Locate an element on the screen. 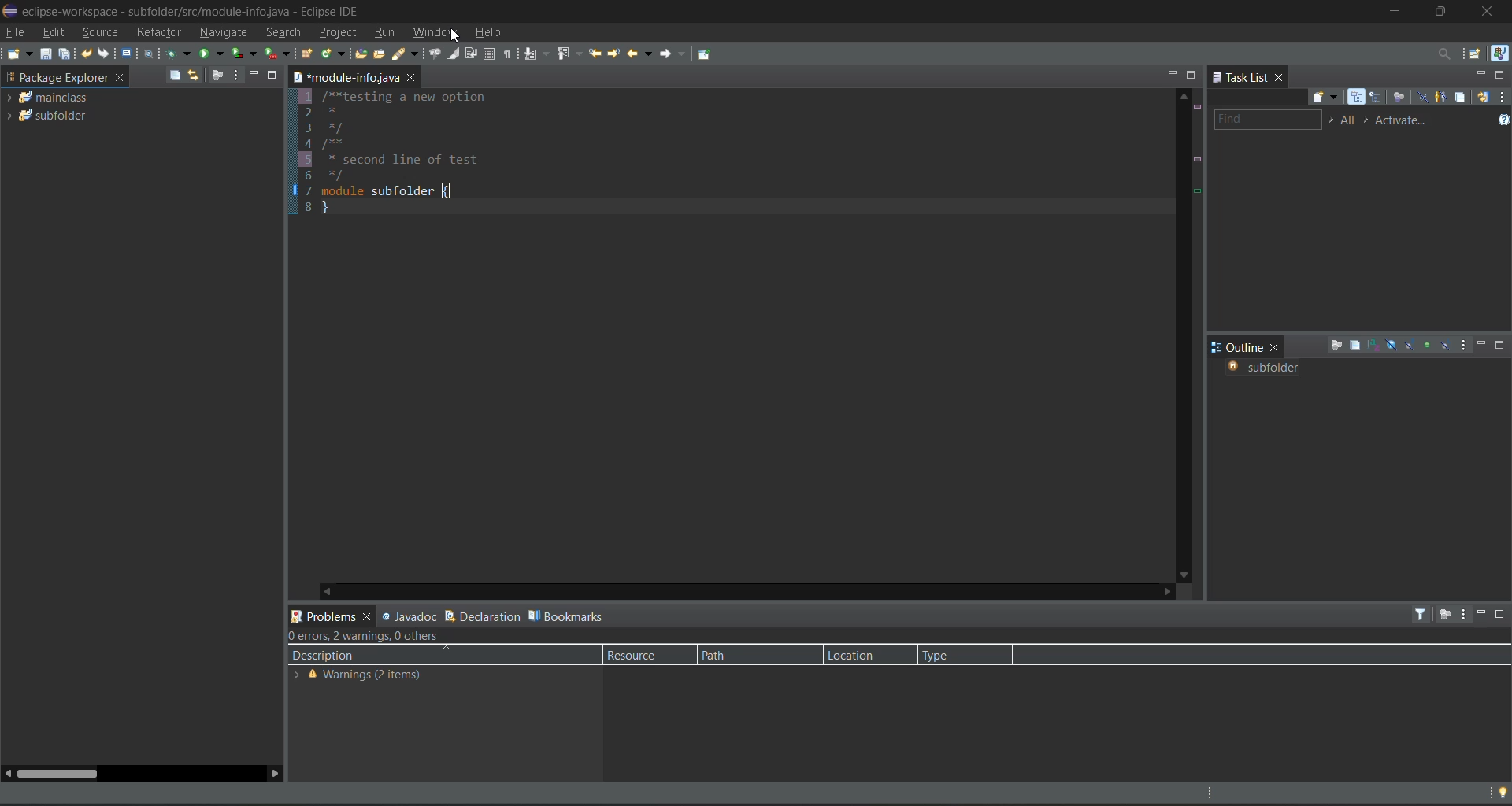 This screenshot has width=1512, height=806. » eclipse-workspace - subfolder/src/module-info.java - Eclipse IDE is located at coordinates (201, 9).